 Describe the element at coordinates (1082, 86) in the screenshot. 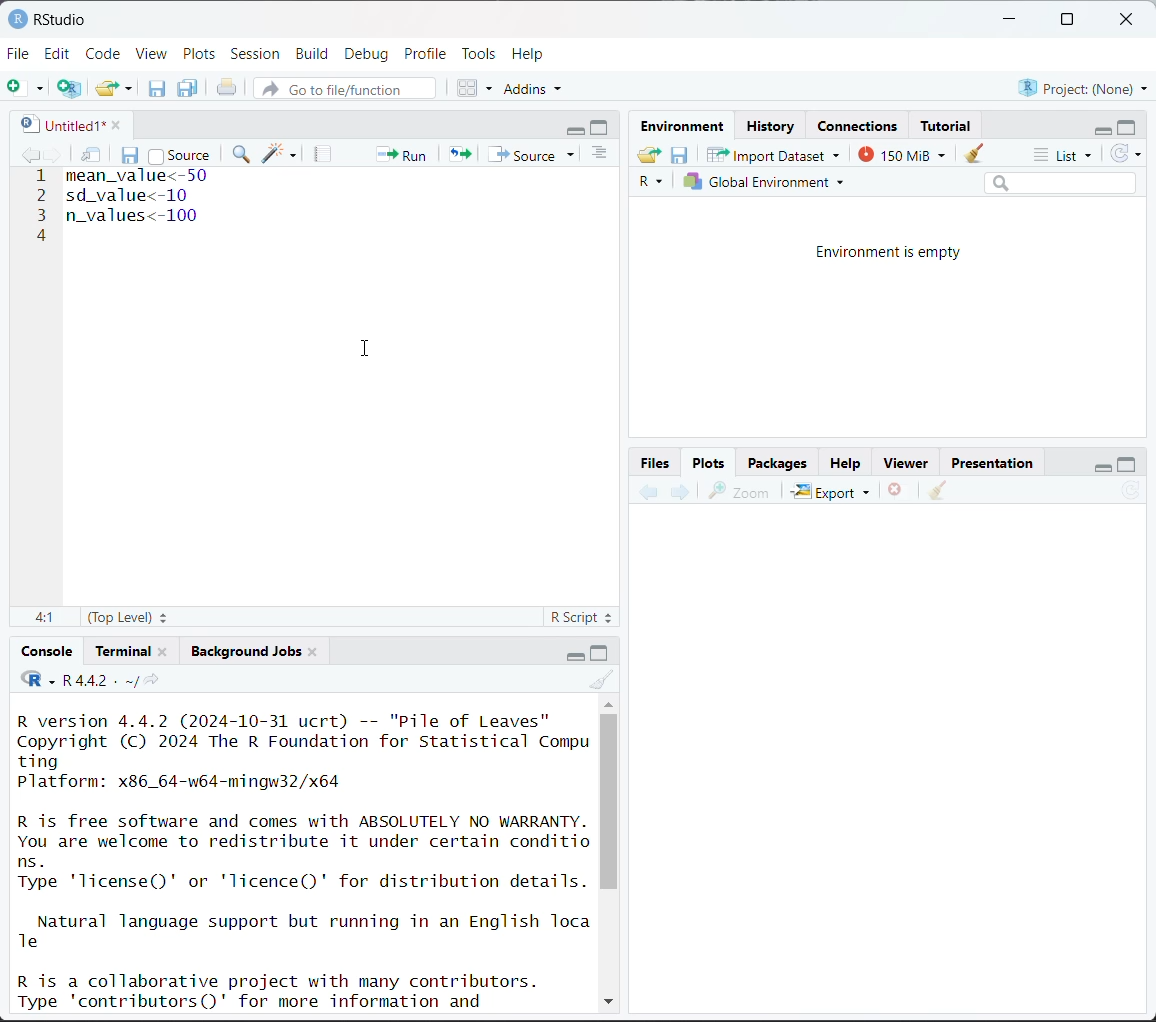

I see `Project:(None)` at that location.